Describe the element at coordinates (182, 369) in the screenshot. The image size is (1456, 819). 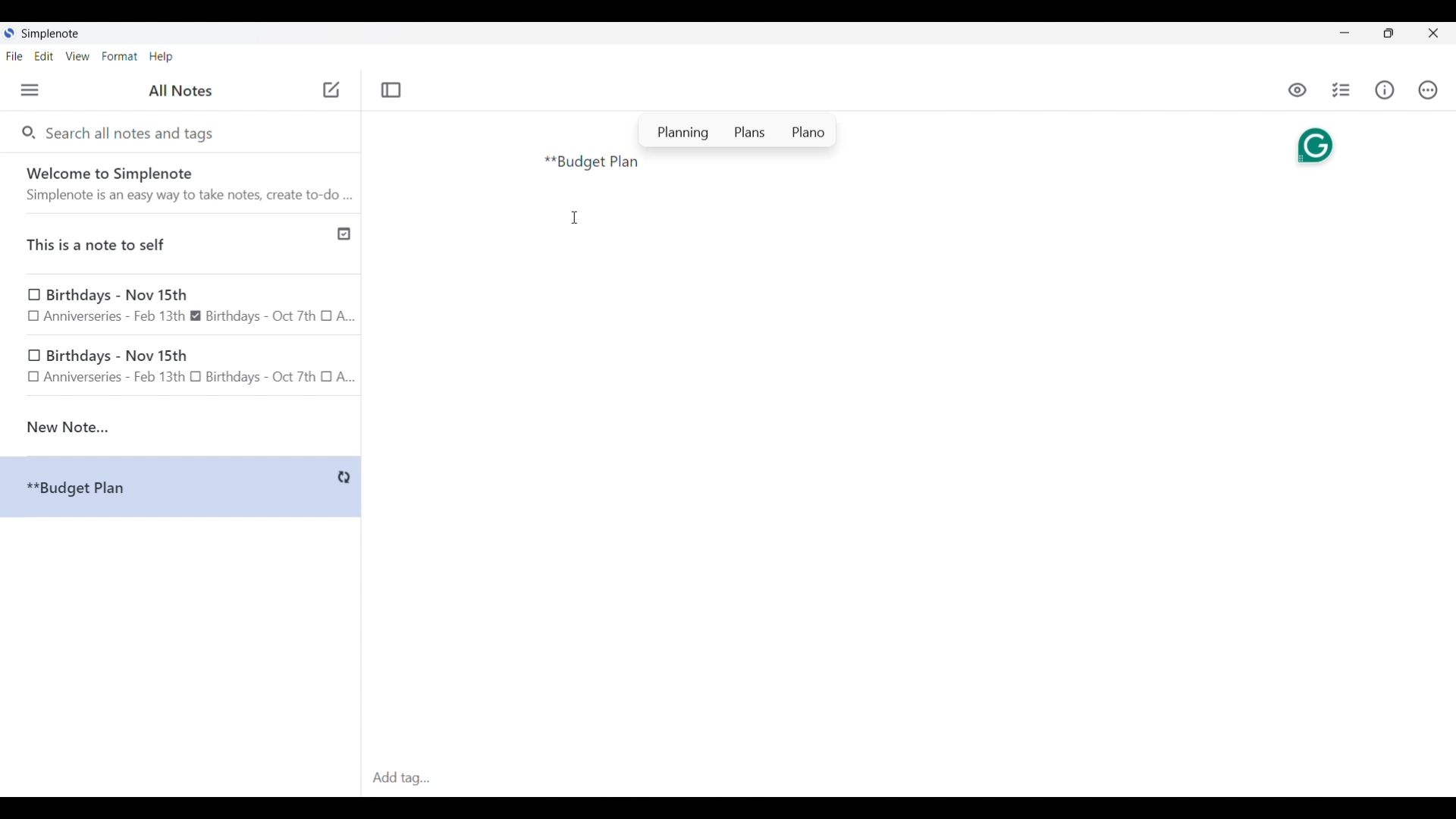
I see `birthday note` at that location.